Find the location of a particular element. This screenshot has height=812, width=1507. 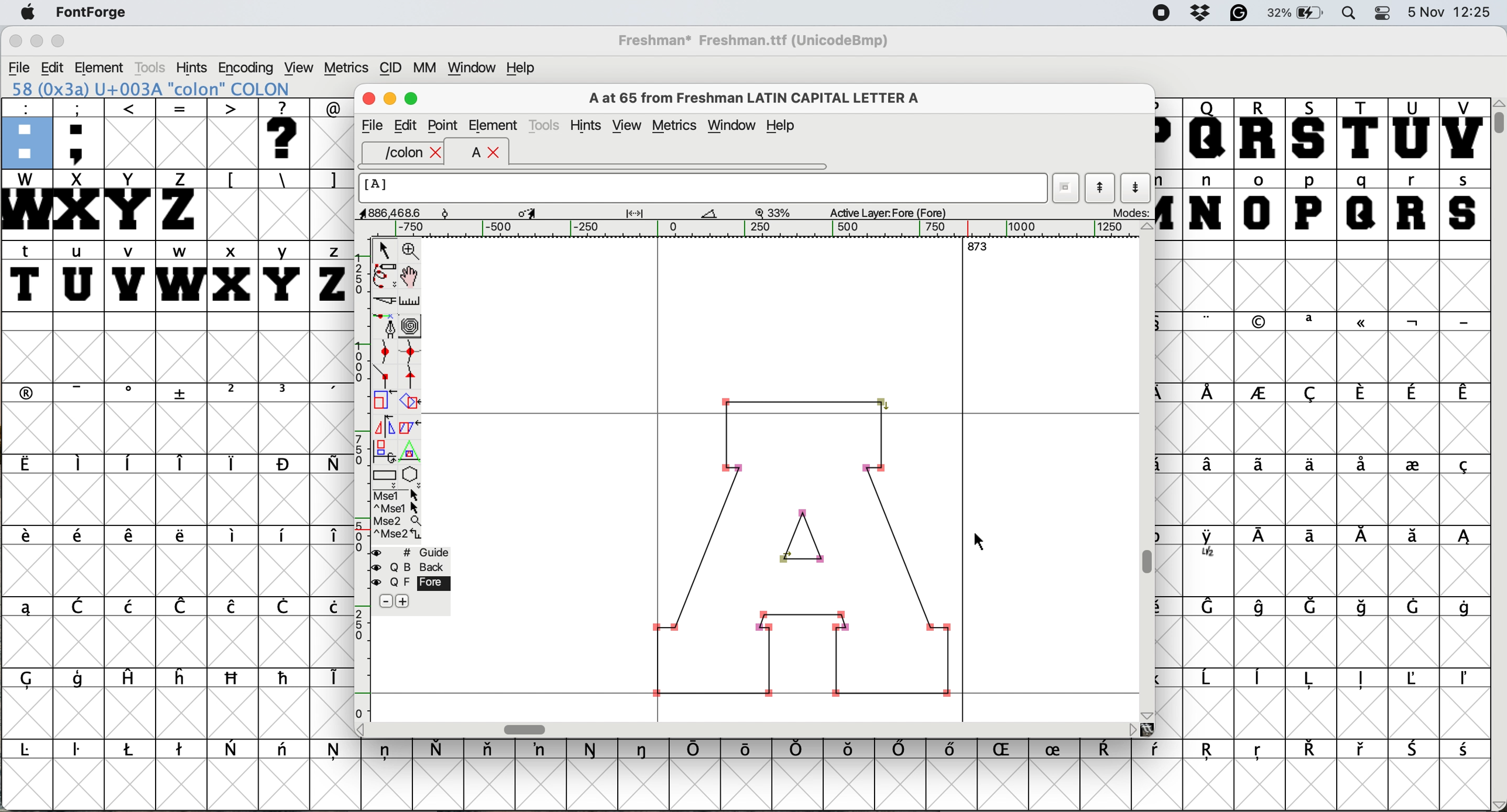

symbol is located at coordinates (285, 677).